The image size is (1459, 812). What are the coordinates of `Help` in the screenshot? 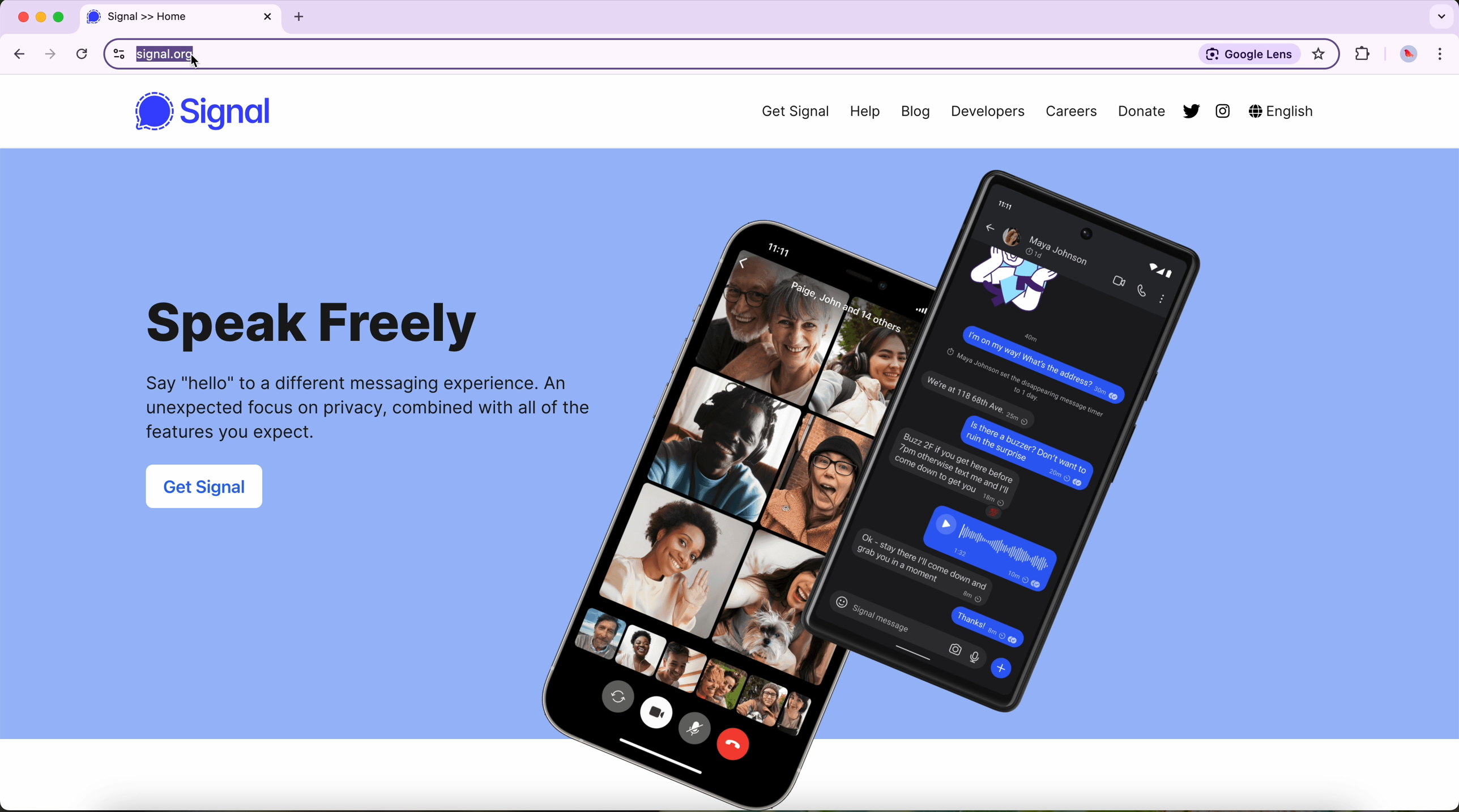 It's located at (867, 111).